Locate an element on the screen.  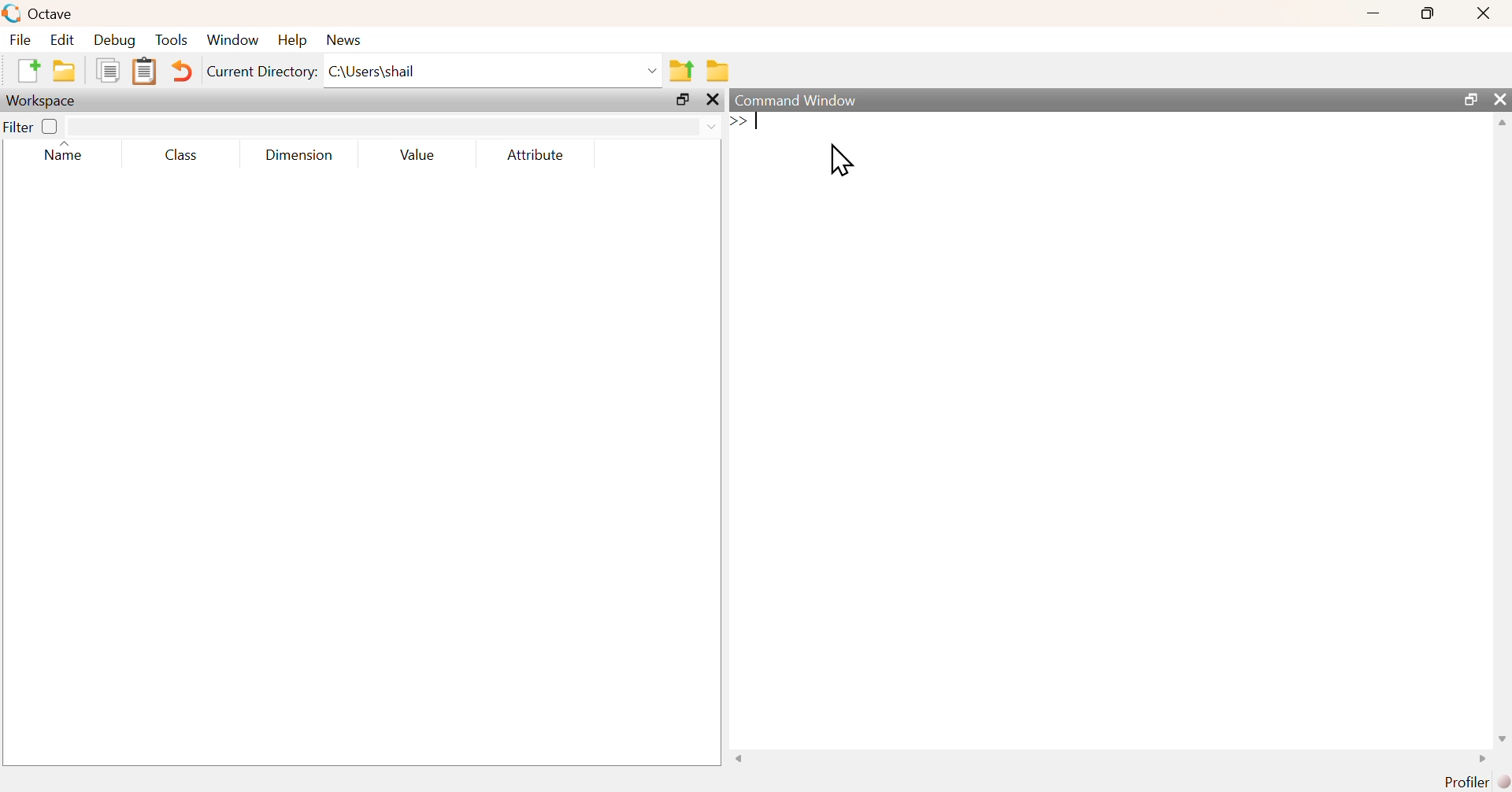
Scroll up is located at coordinates (1500, 123).